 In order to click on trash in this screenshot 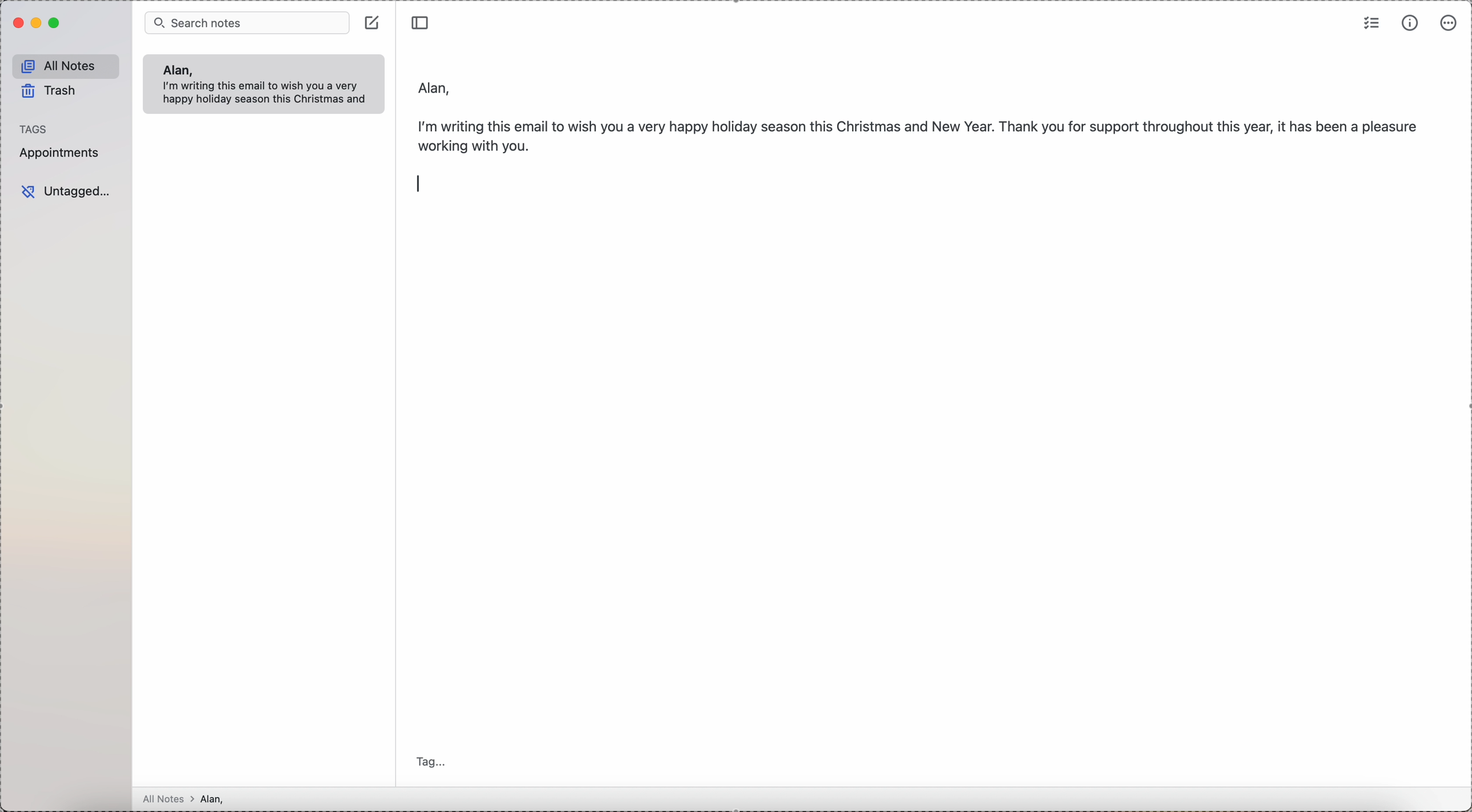, I will do `click(51, 93)`.